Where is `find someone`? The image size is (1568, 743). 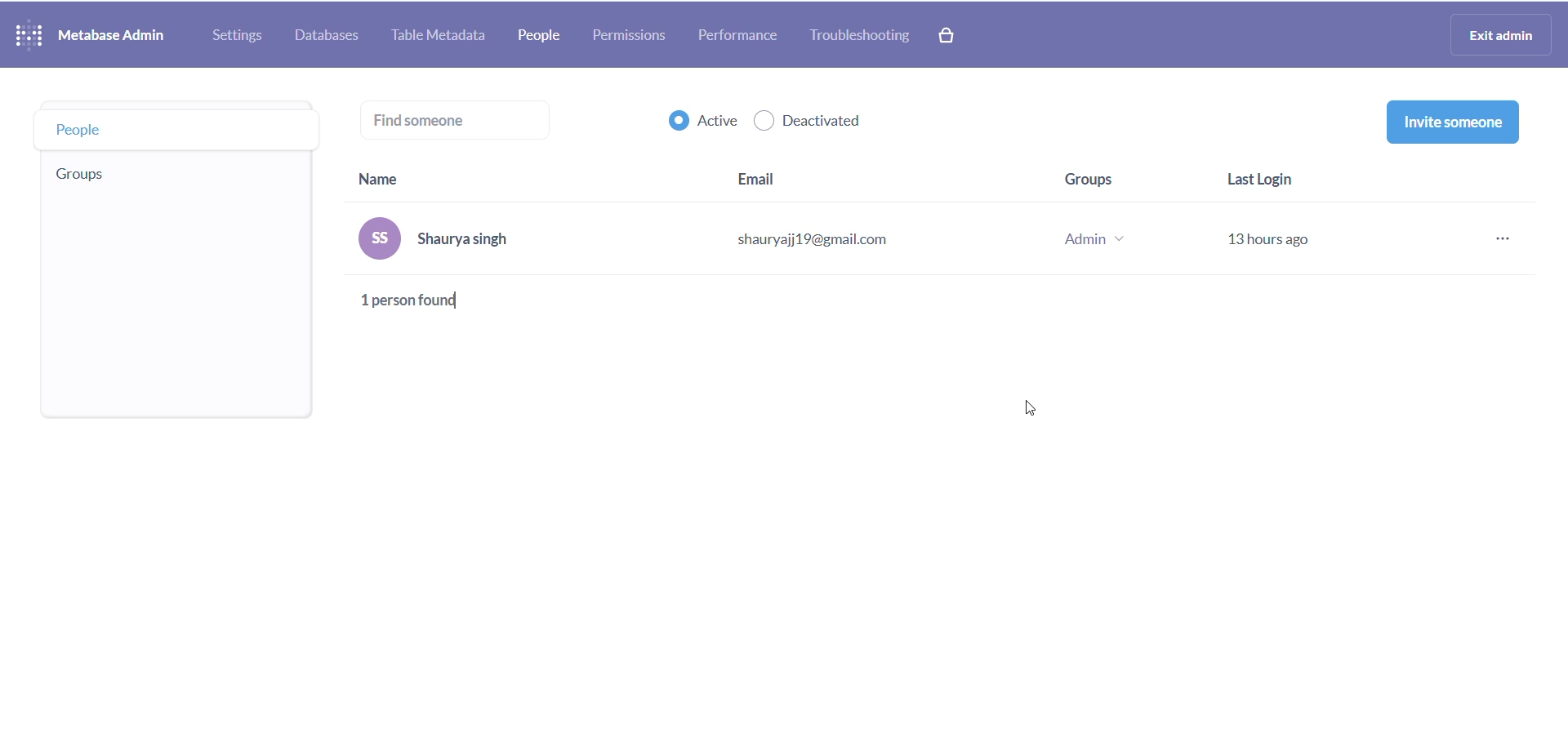
find someone is located at coordinates (427, 122).